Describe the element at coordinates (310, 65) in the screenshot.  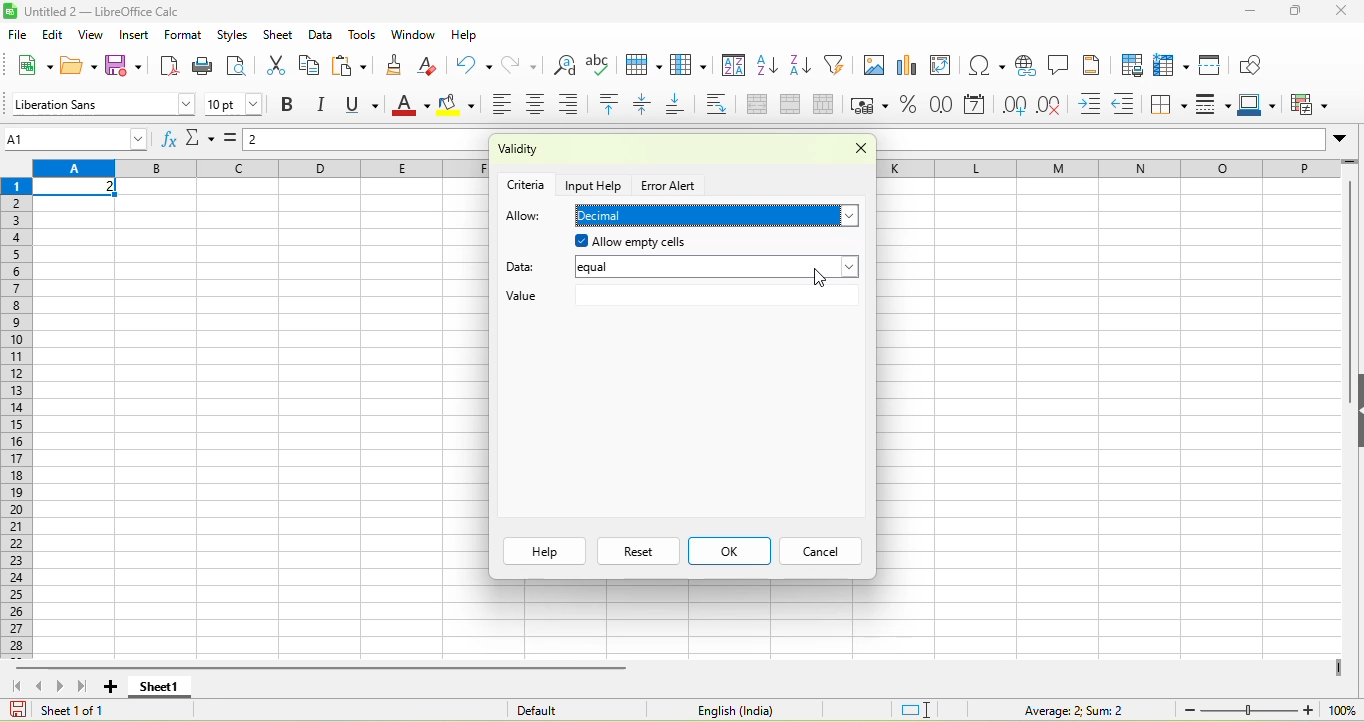
I see `copy` at that location.